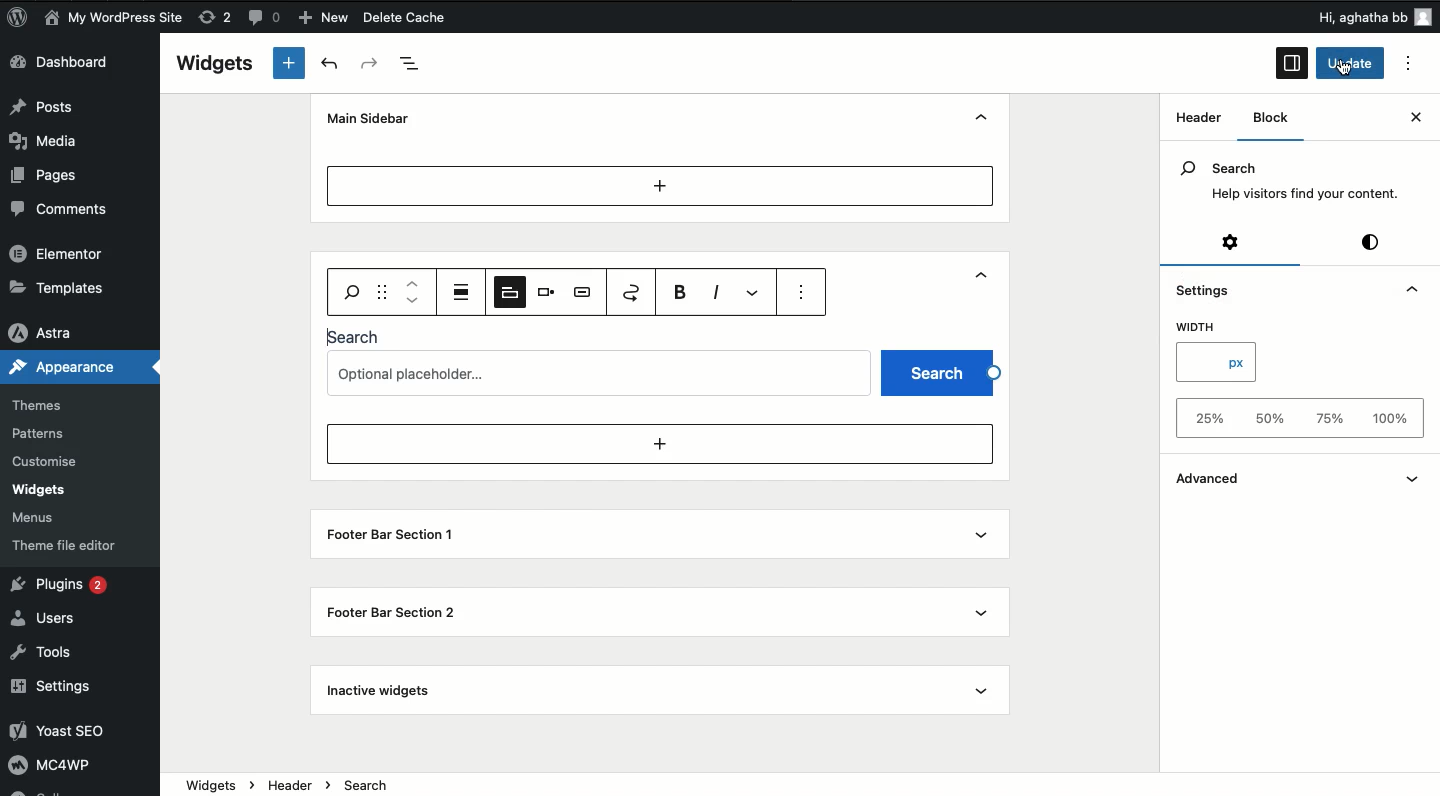 This screenshot has width=1440, height=796. Describe the element at coordinates (986, 608) in the screenshot. I see `show` at that location.